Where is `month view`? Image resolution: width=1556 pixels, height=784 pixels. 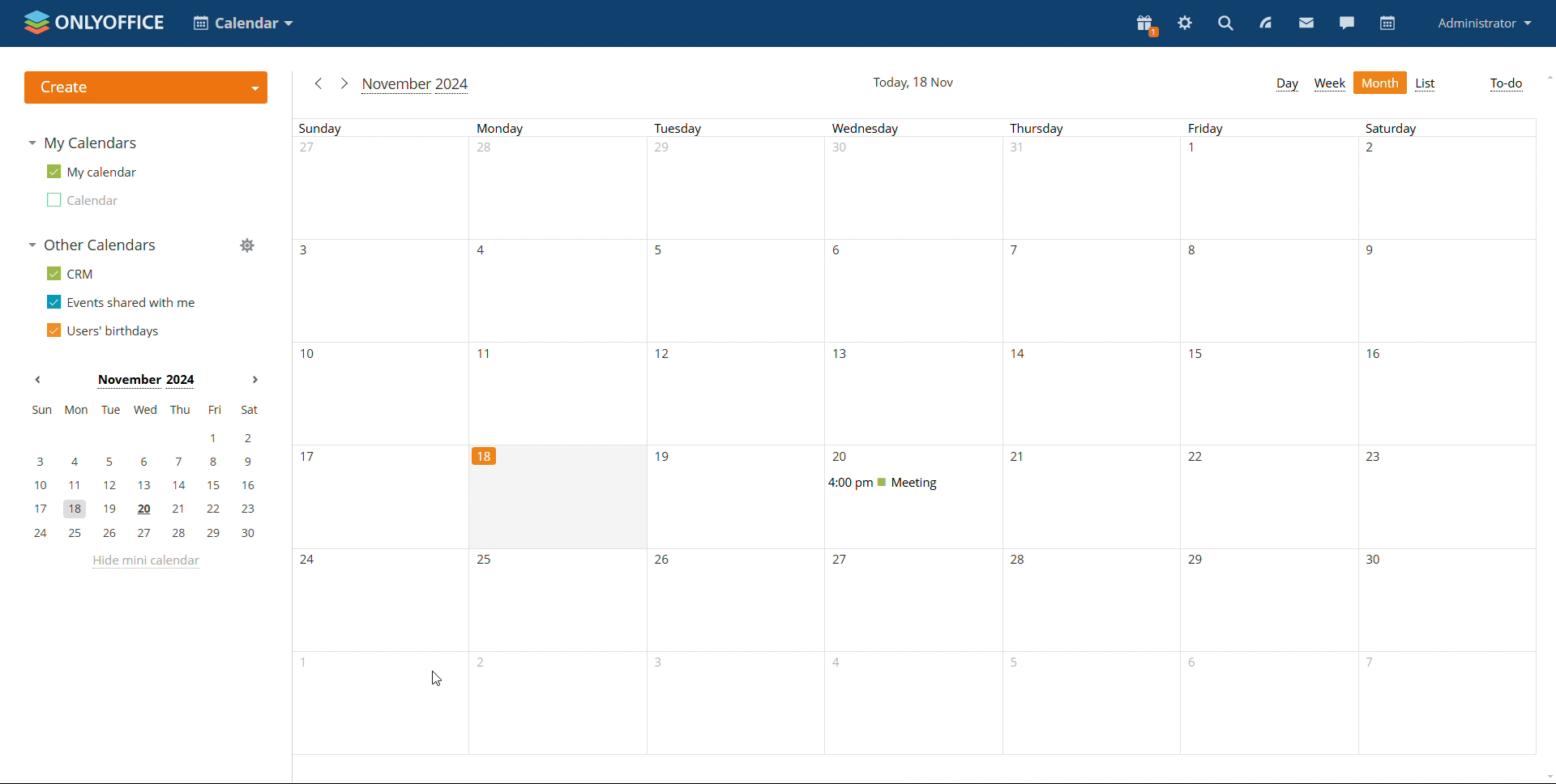 month view is located at coordinates (1380, 83).